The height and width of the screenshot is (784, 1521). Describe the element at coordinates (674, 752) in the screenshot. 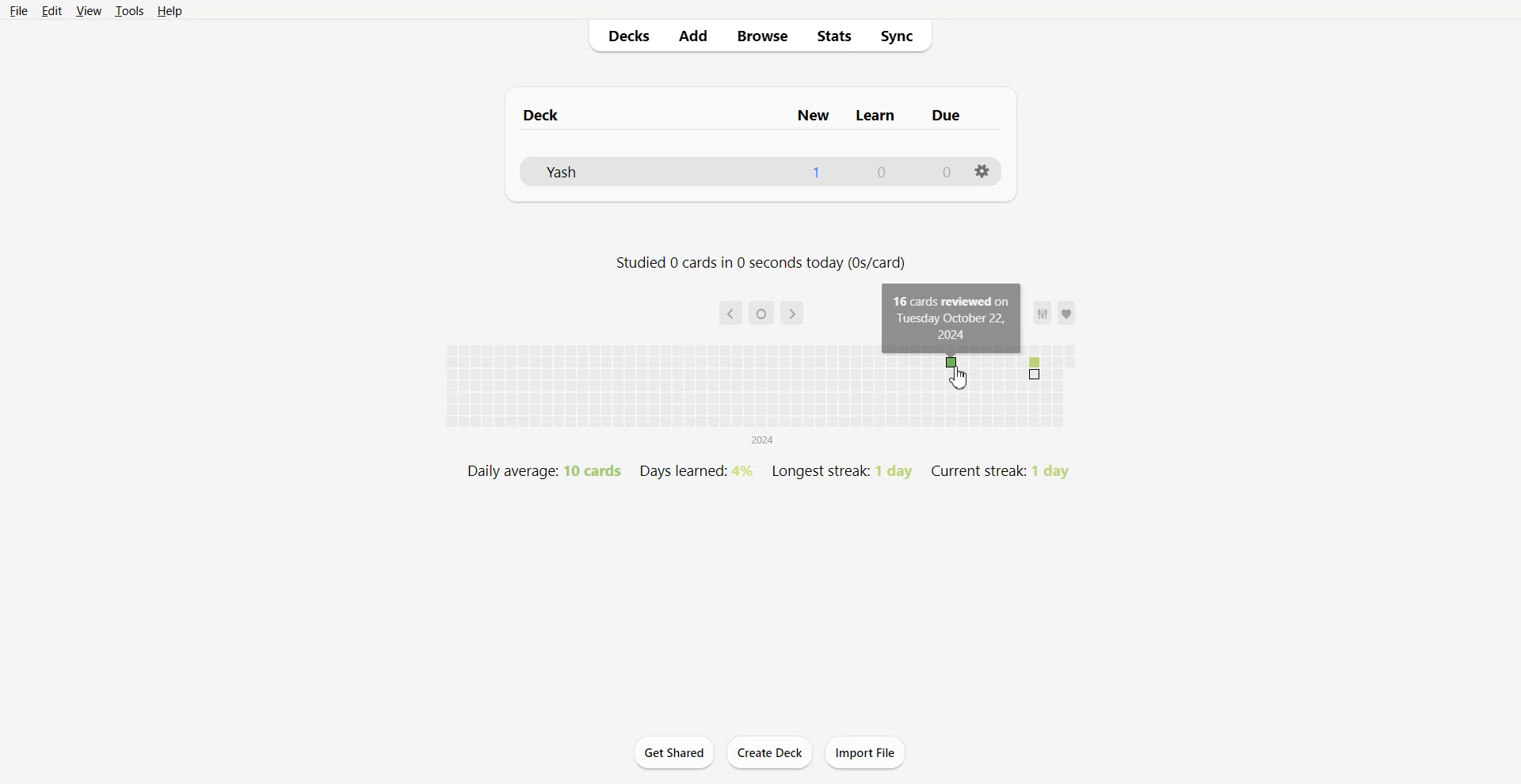

I see `Get Shared` at that location.